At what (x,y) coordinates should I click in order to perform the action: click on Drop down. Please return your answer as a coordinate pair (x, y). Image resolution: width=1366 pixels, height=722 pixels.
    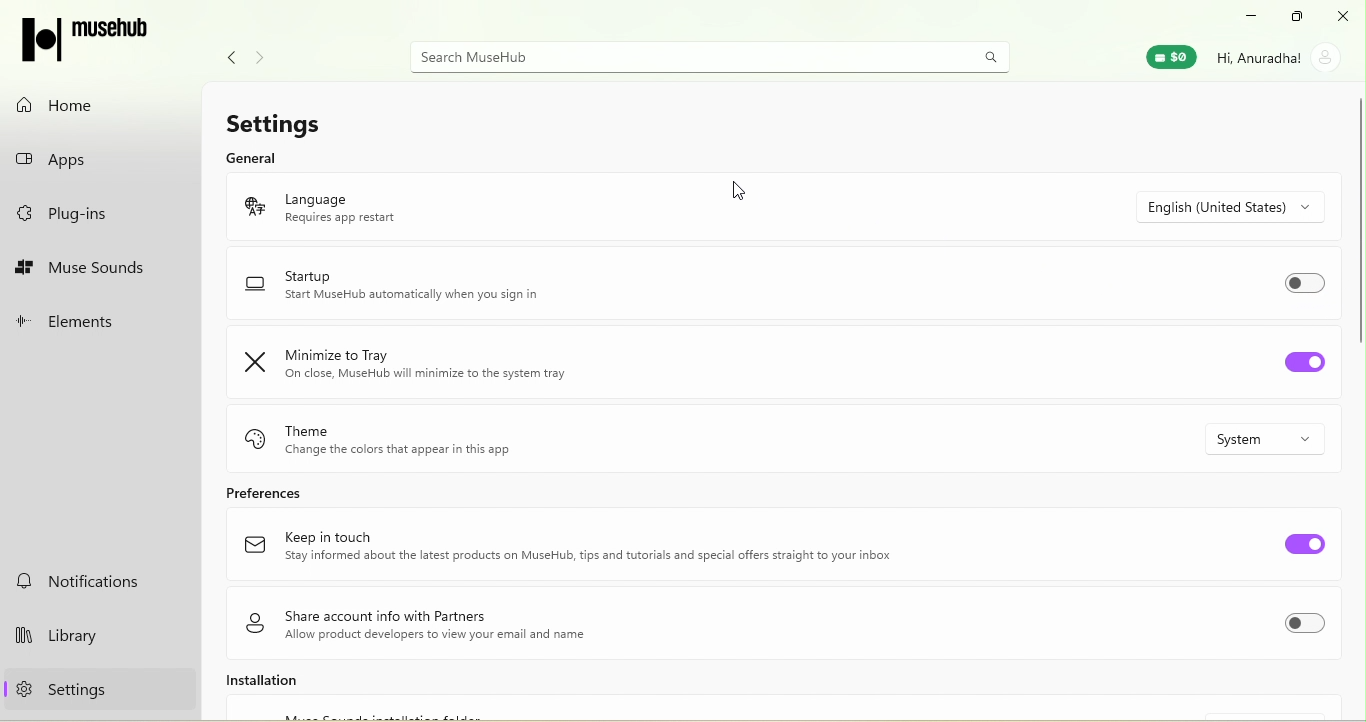
    Looking at the image, I should click on (1277, 439).